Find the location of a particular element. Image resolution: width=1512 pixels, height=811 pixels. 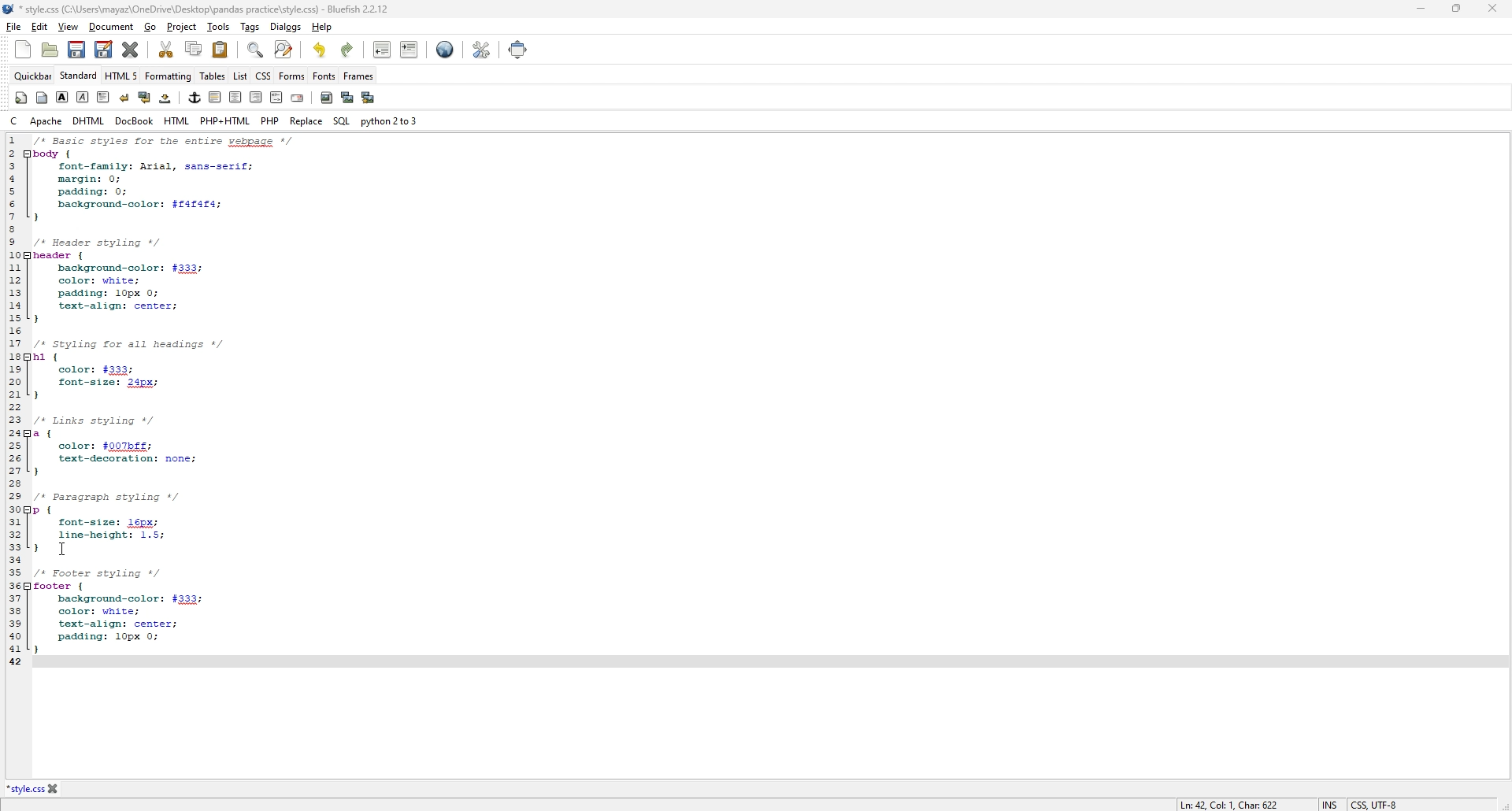

cursor is located at coordinates (64, 550).